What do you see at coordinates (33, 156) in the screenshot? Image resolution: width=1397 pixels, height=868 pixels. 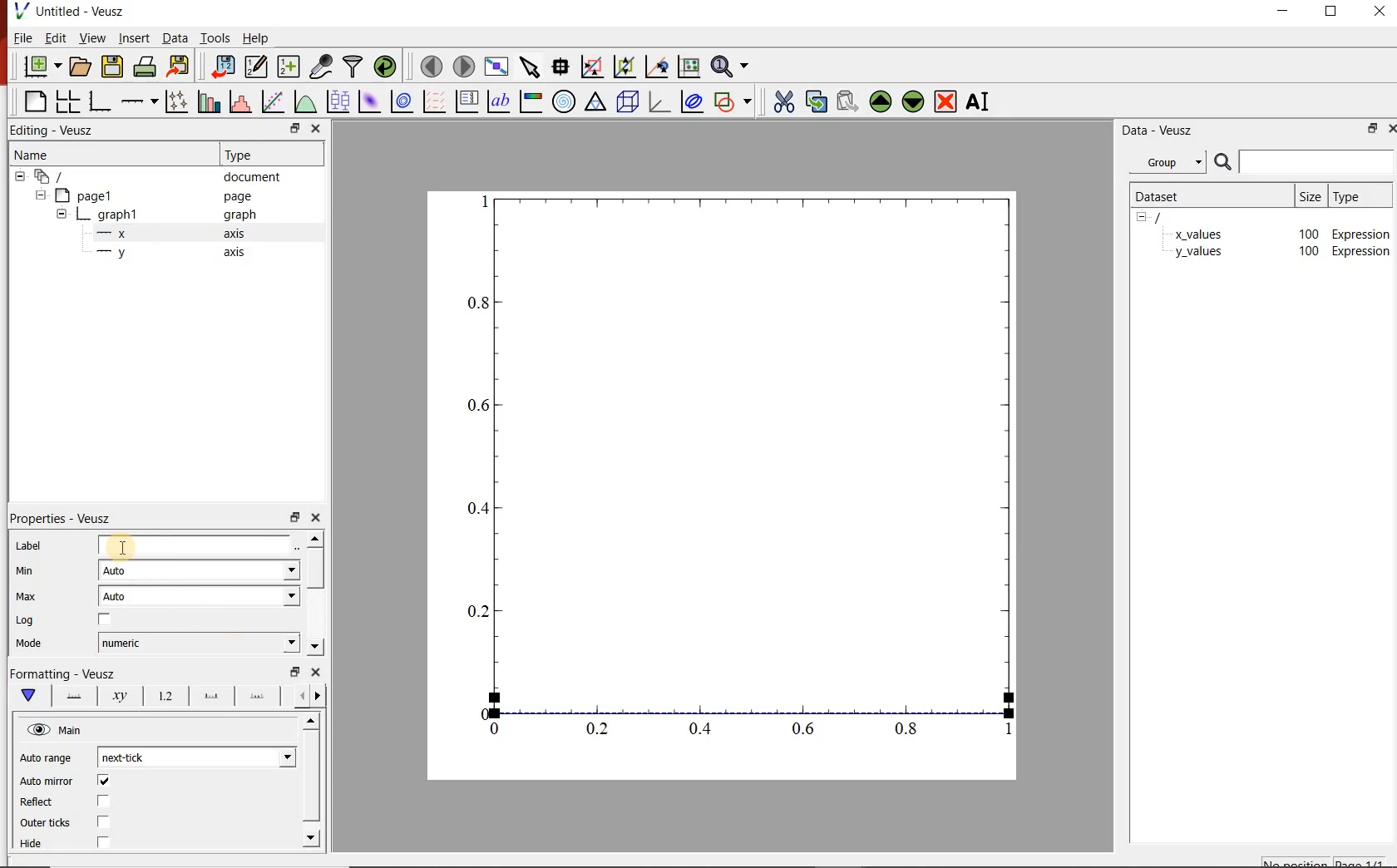 I see `name` at bounding box center [33, 156].